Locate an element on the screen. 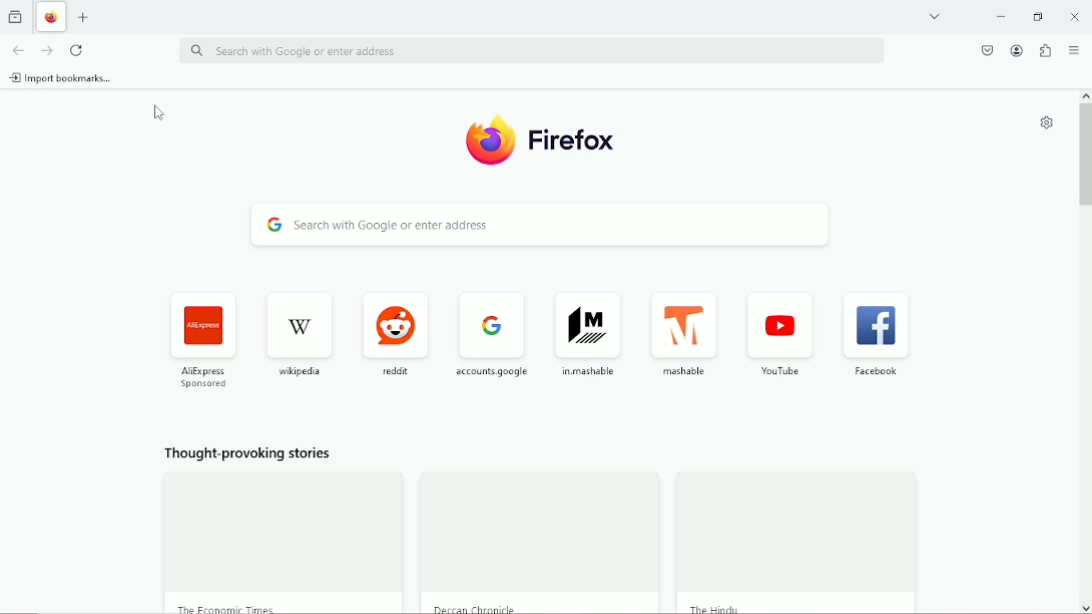 The width and height of the screenshot is (1092, 614). Thought provoking stories is located at coordinates (247, 456).